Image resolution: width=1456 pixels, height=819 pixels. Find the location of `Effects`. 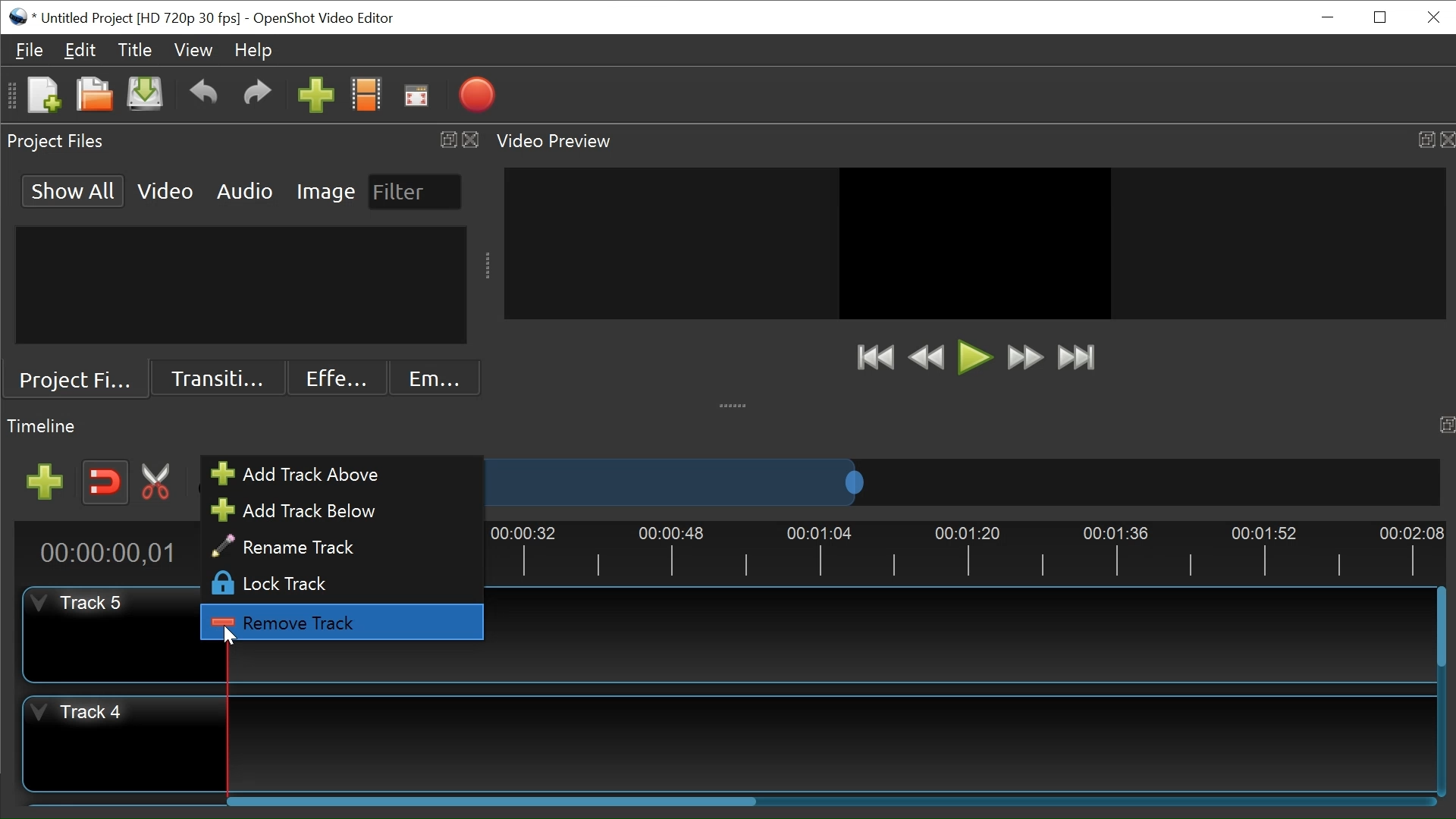

Effects is located at coordinates (334, 378).